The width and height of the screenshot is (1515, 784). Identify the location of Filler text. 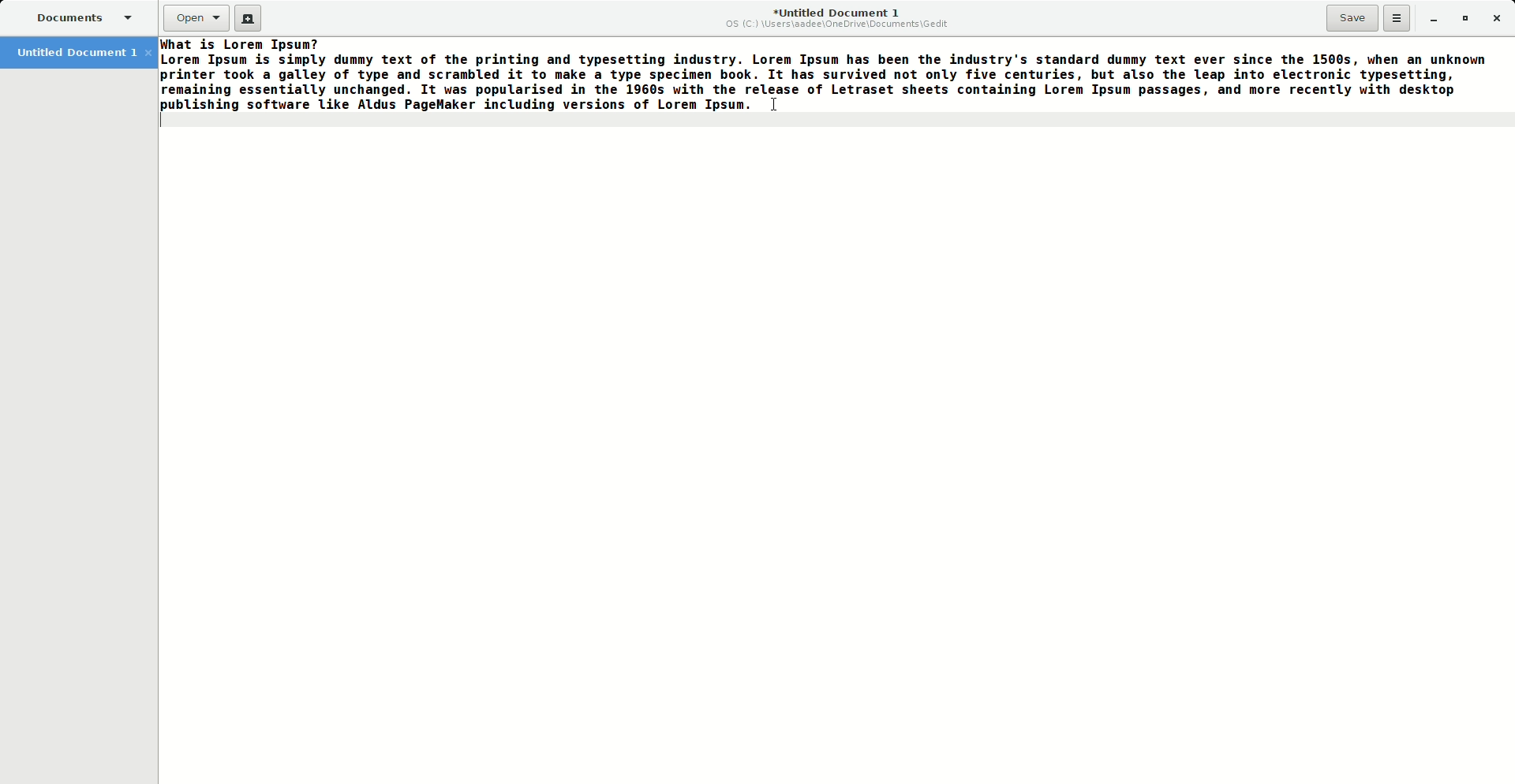
(826, 74).